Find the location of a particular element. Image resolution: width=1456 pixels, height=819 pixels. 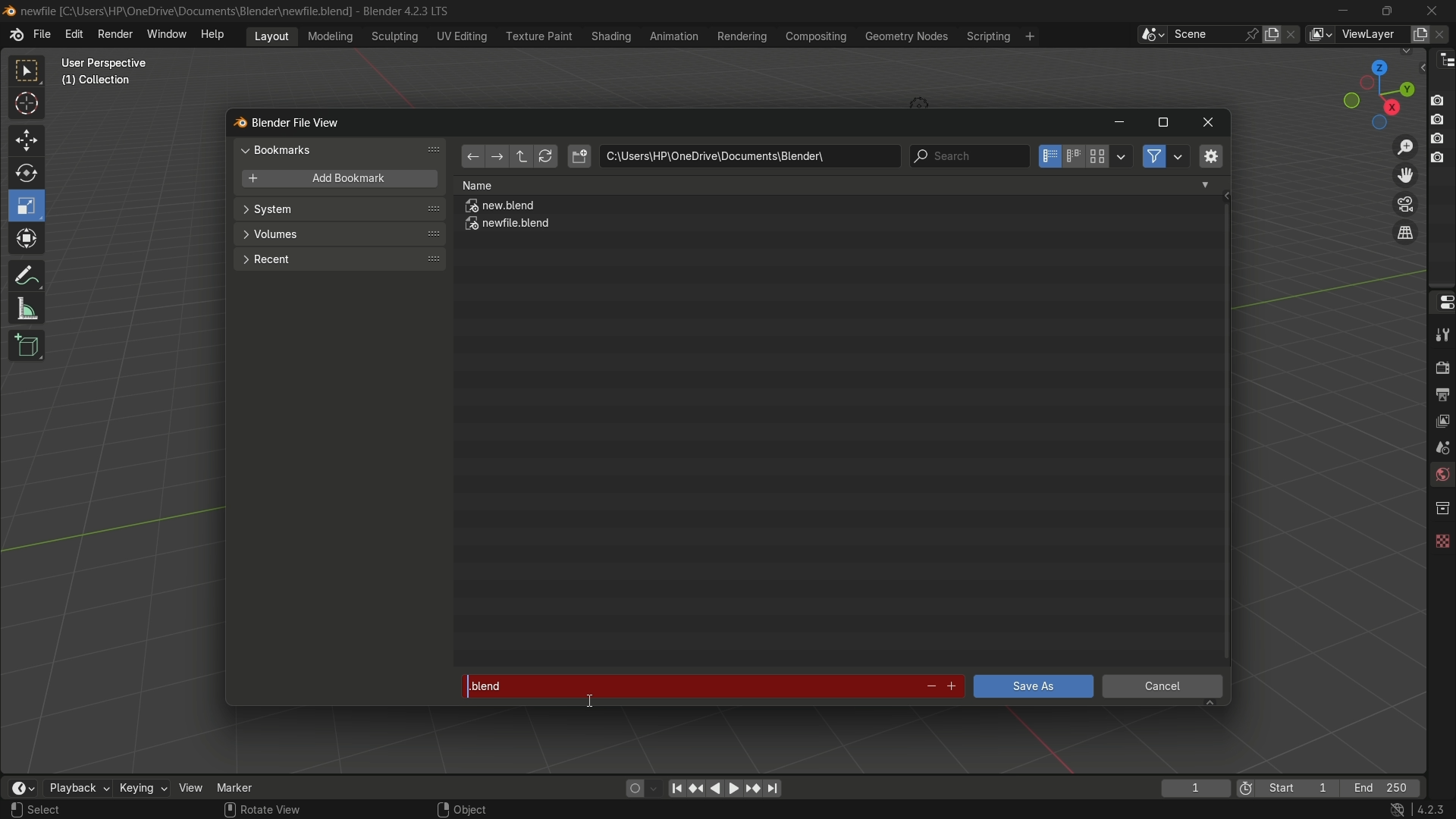

location is located at coordinates (749, 156).